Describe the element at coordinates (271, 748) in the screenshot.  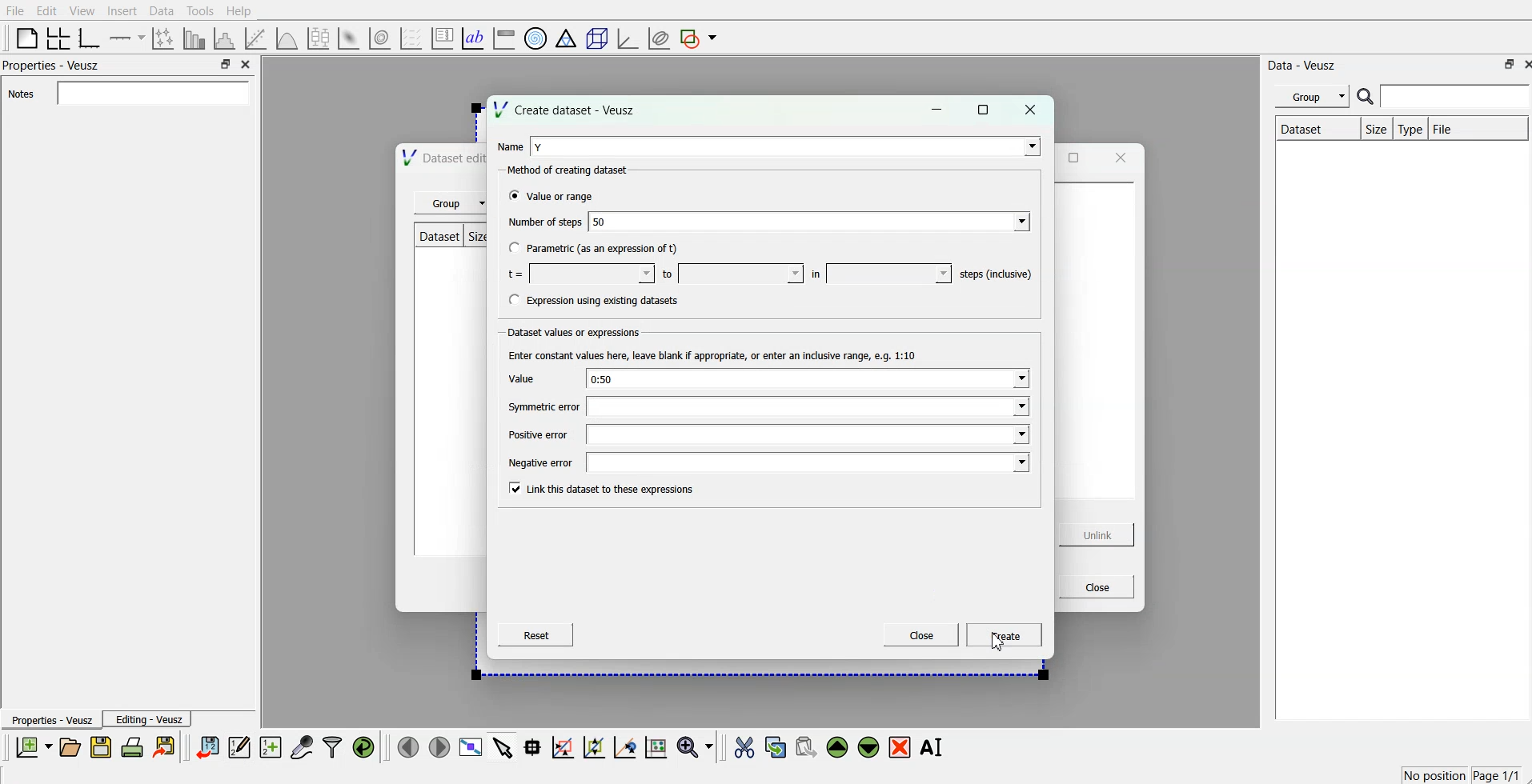
I see `create new datasets` at that location.